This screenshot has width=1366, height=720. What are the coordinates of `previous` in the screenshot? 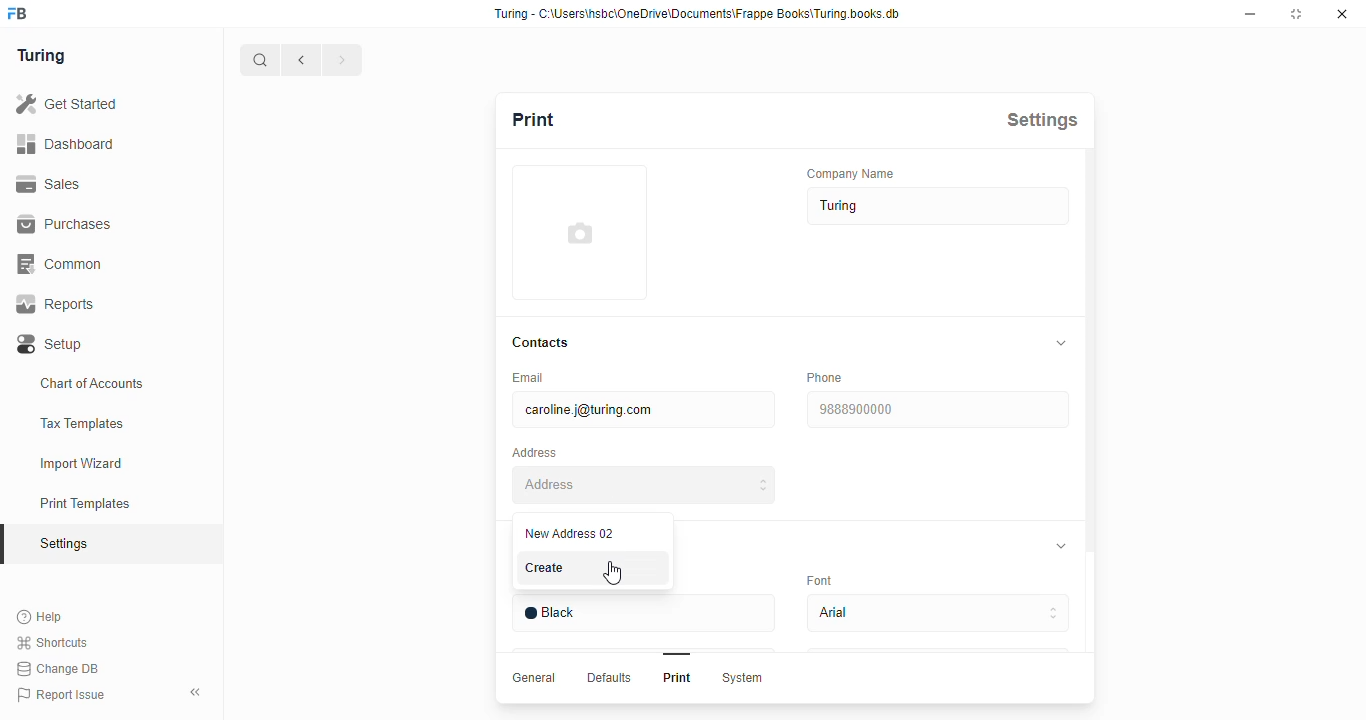 It's located at (302, 60).